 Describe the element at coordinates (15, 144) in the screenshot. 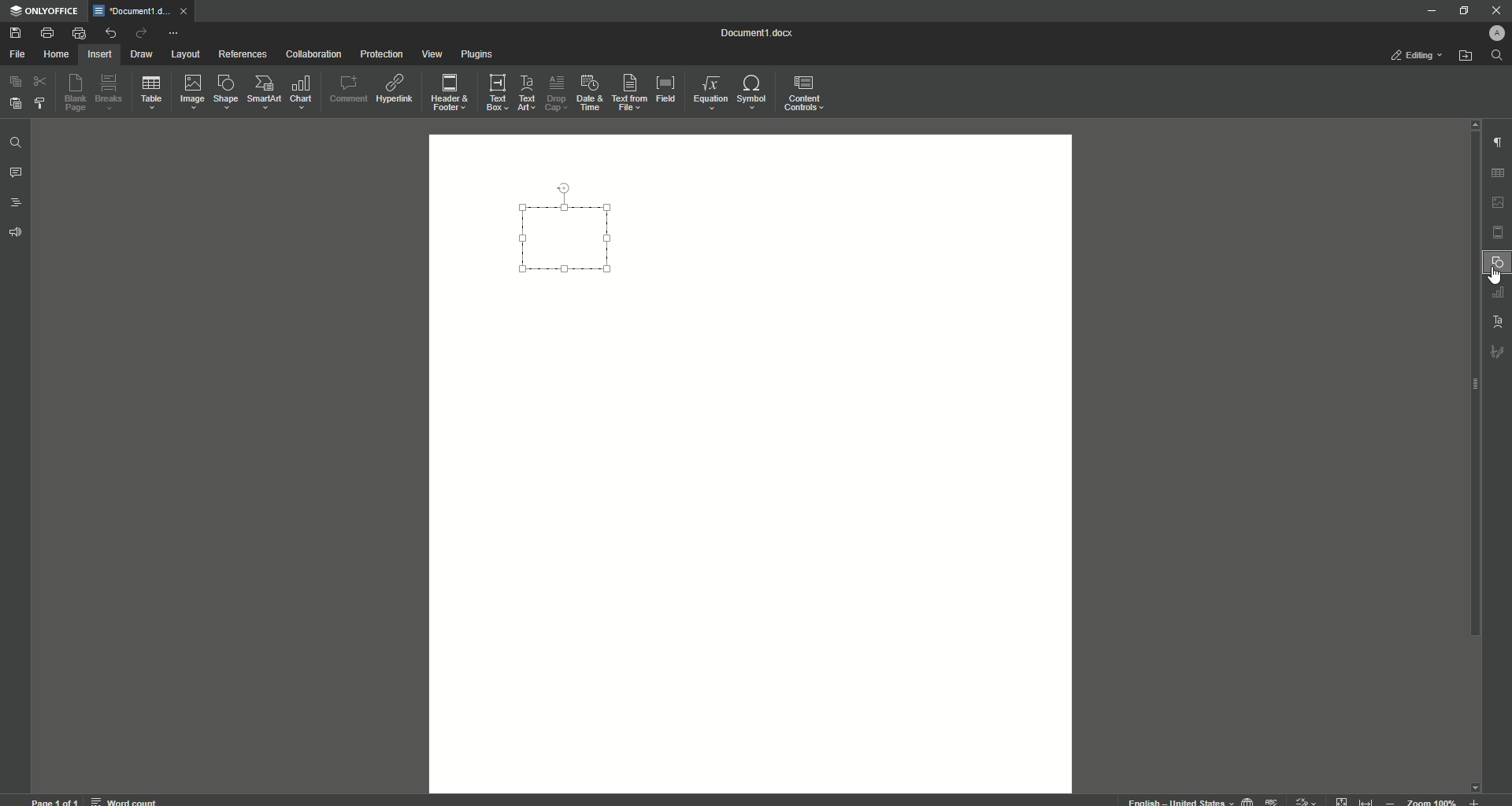

I see `Find` at that location.